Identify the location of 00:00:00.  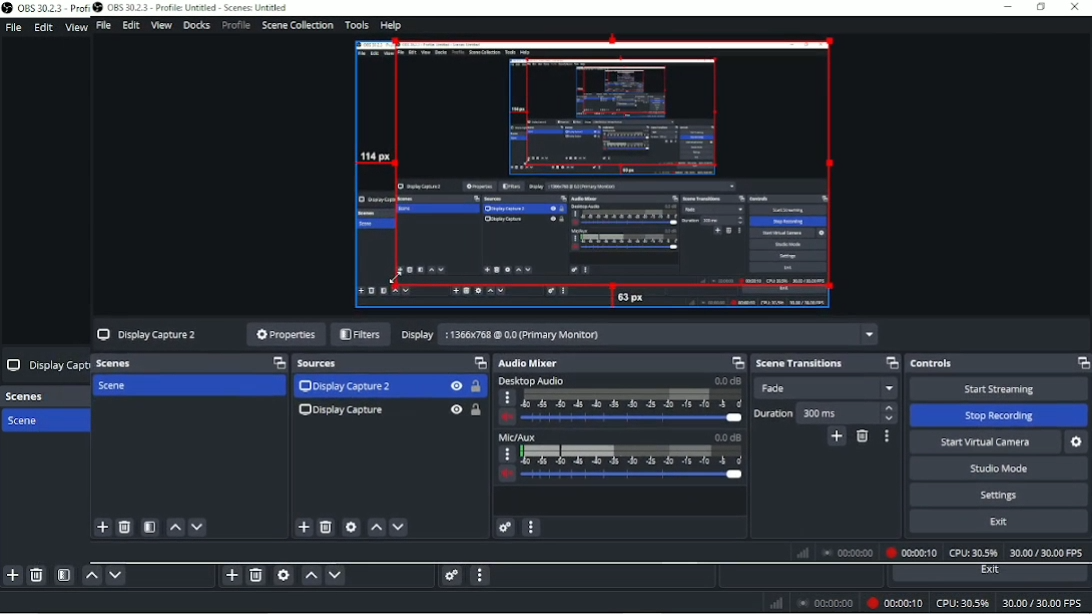
(850, 553).